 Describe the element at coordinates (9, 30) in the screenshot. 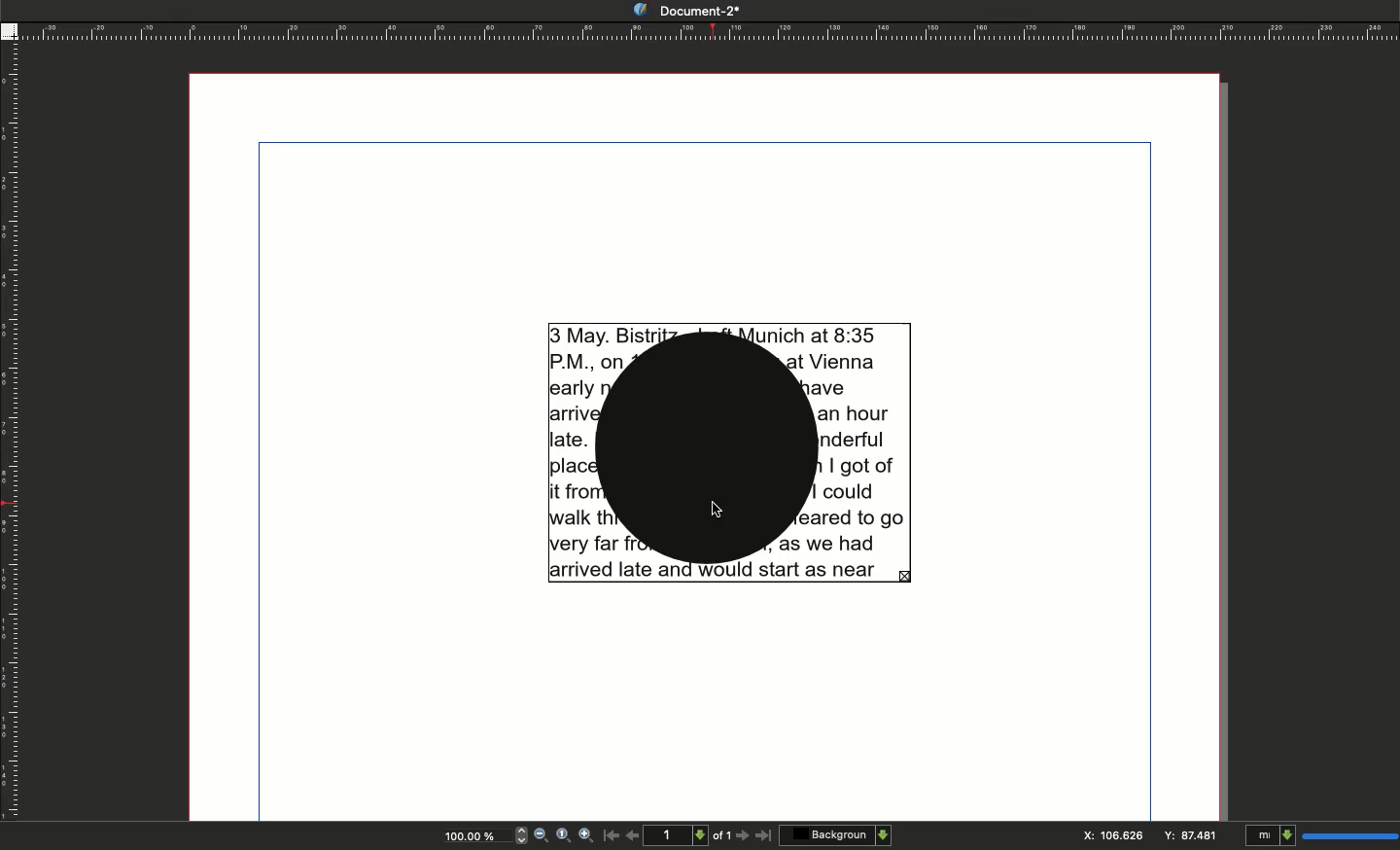

I see `Guide` at that location.